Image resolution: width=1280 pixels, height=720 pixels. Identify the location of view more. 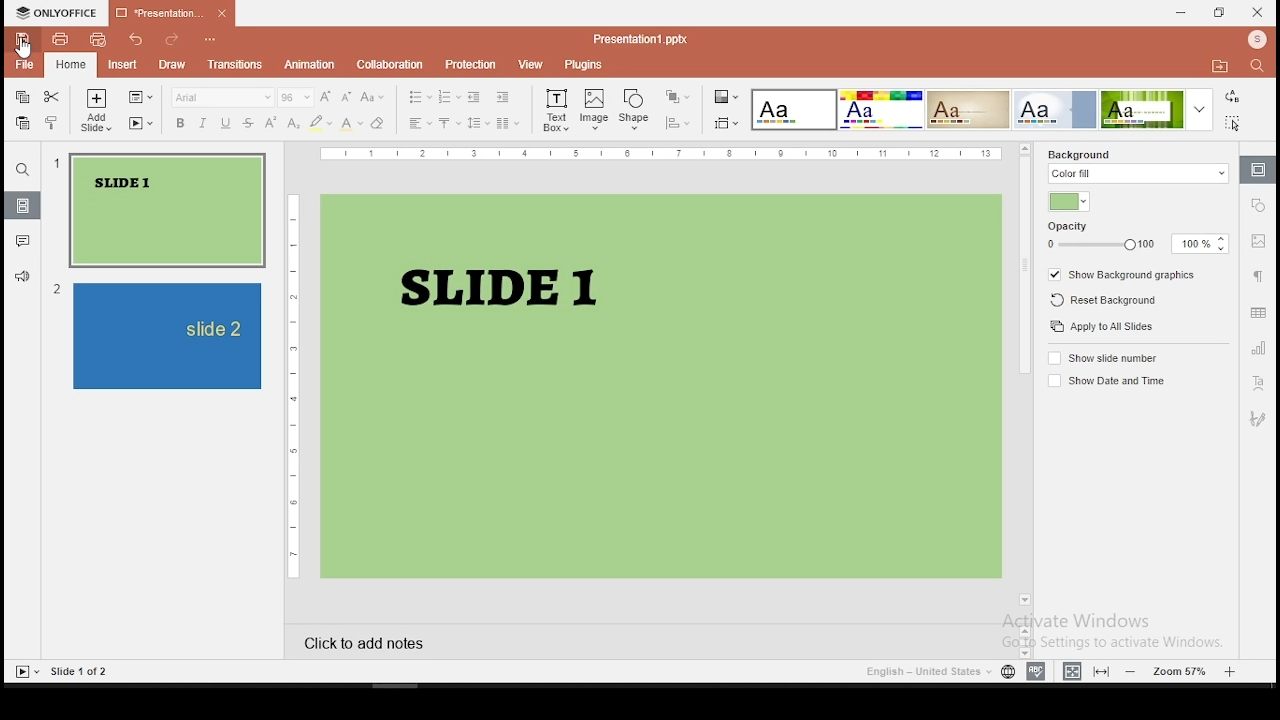
(209, 38).